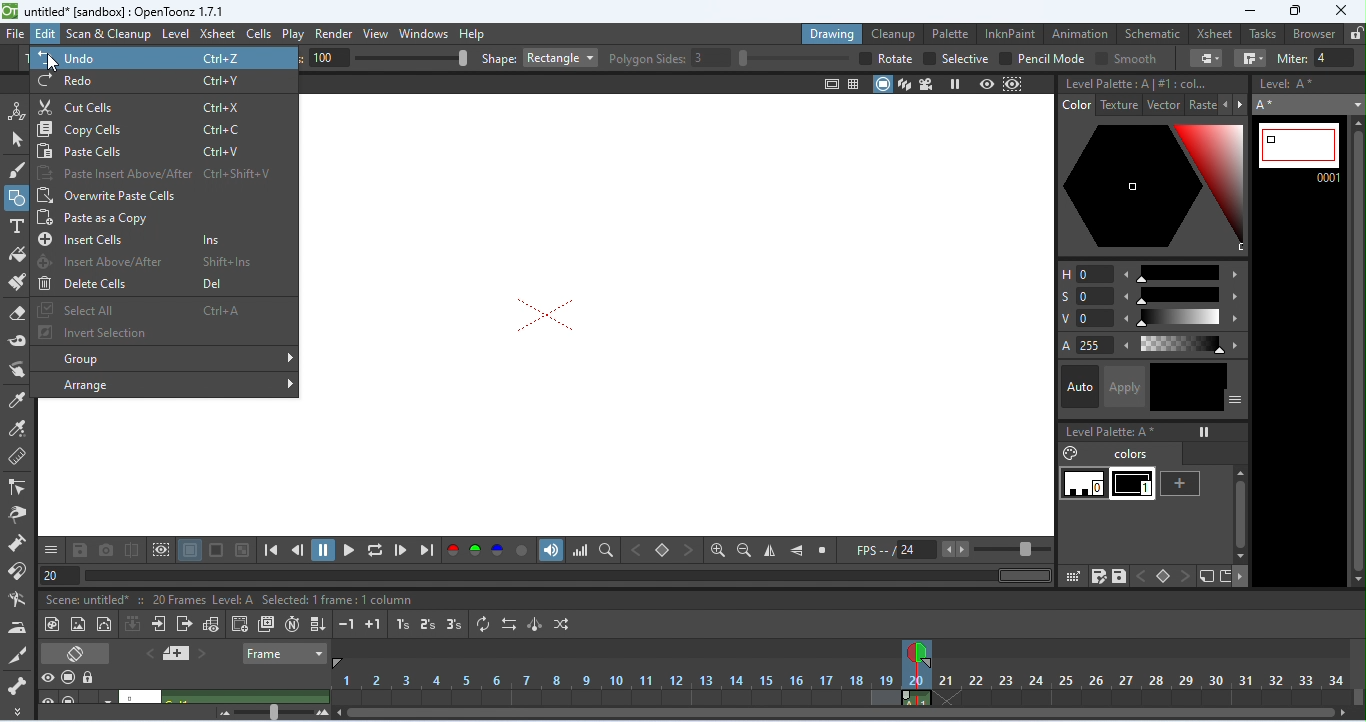  I want to click on duplicate drawing, so click(268, 626).